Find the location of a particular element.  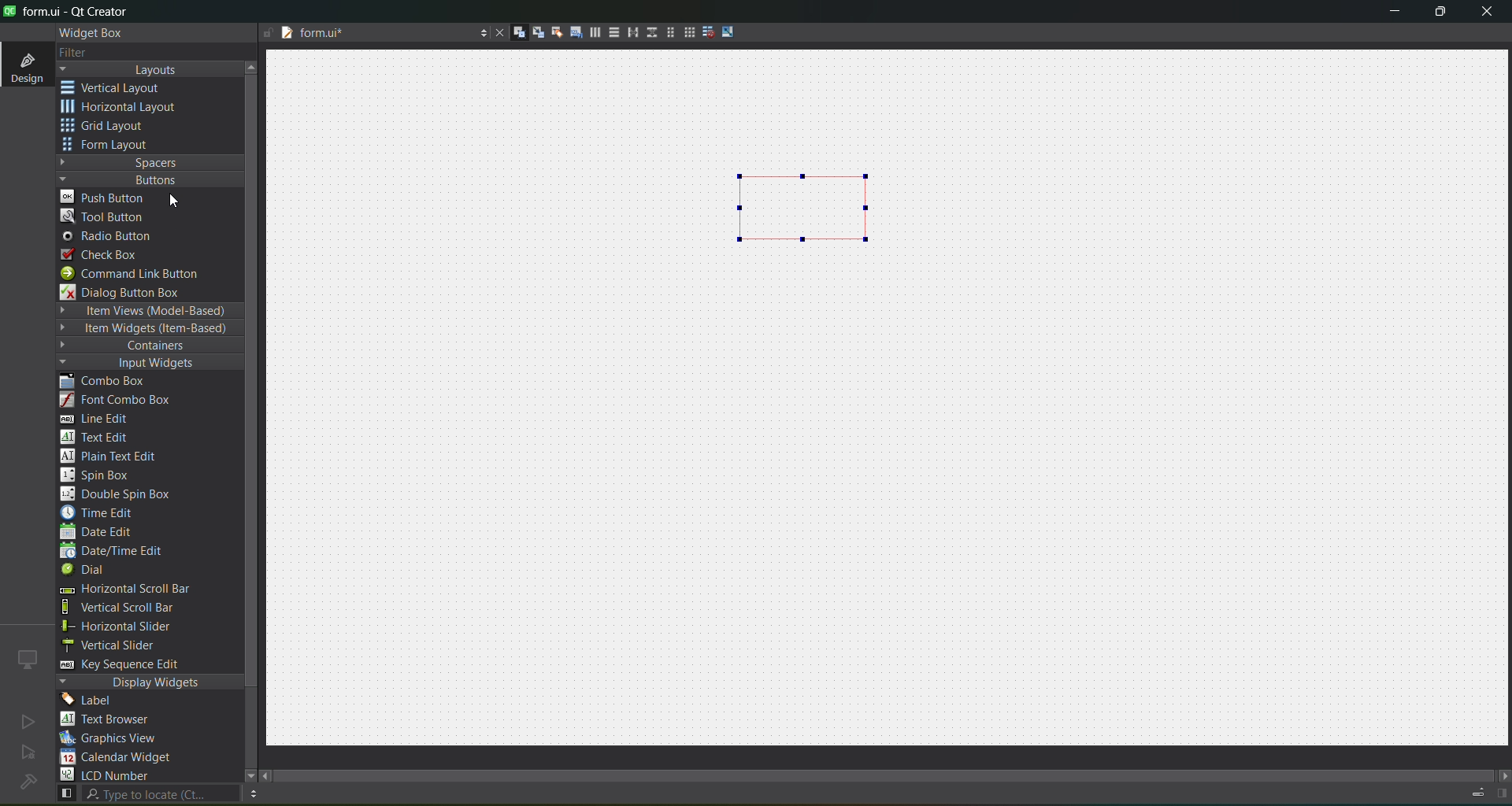

buttons is located at coordinates (146, 179).